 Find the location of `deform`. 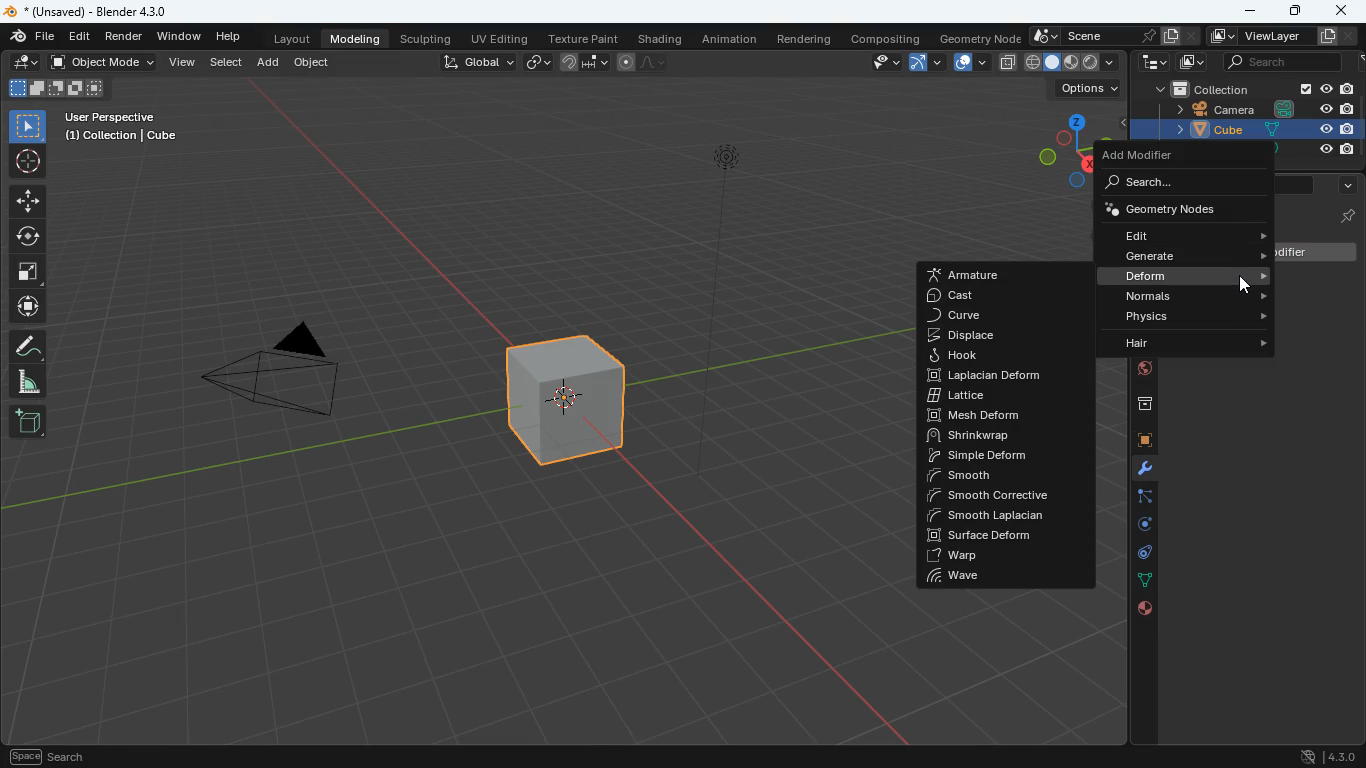

deform is located at coordinates (1184, 277).